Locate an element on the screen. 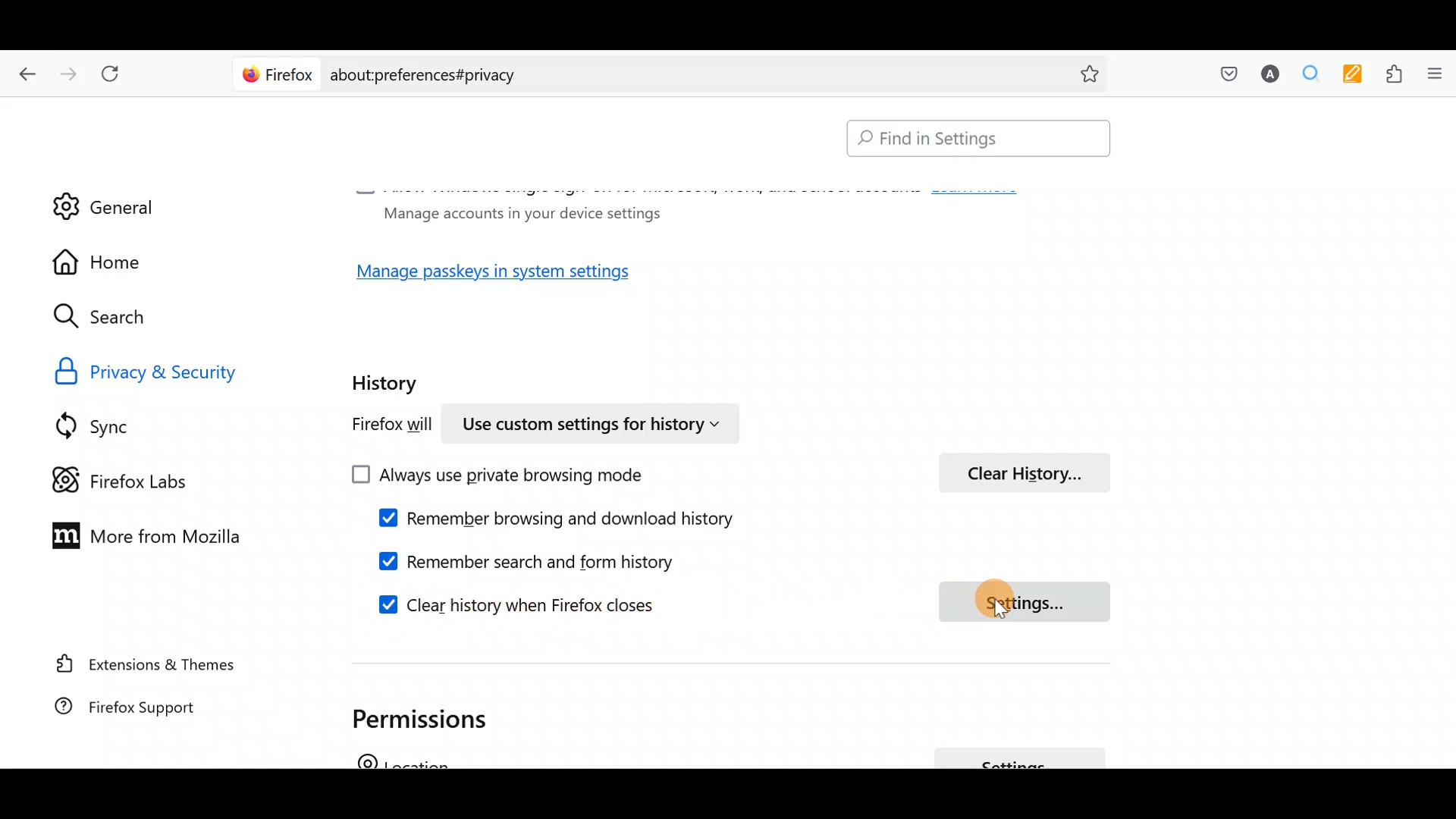  Manage accounts in your device settings is located at coordinates (517, 212).